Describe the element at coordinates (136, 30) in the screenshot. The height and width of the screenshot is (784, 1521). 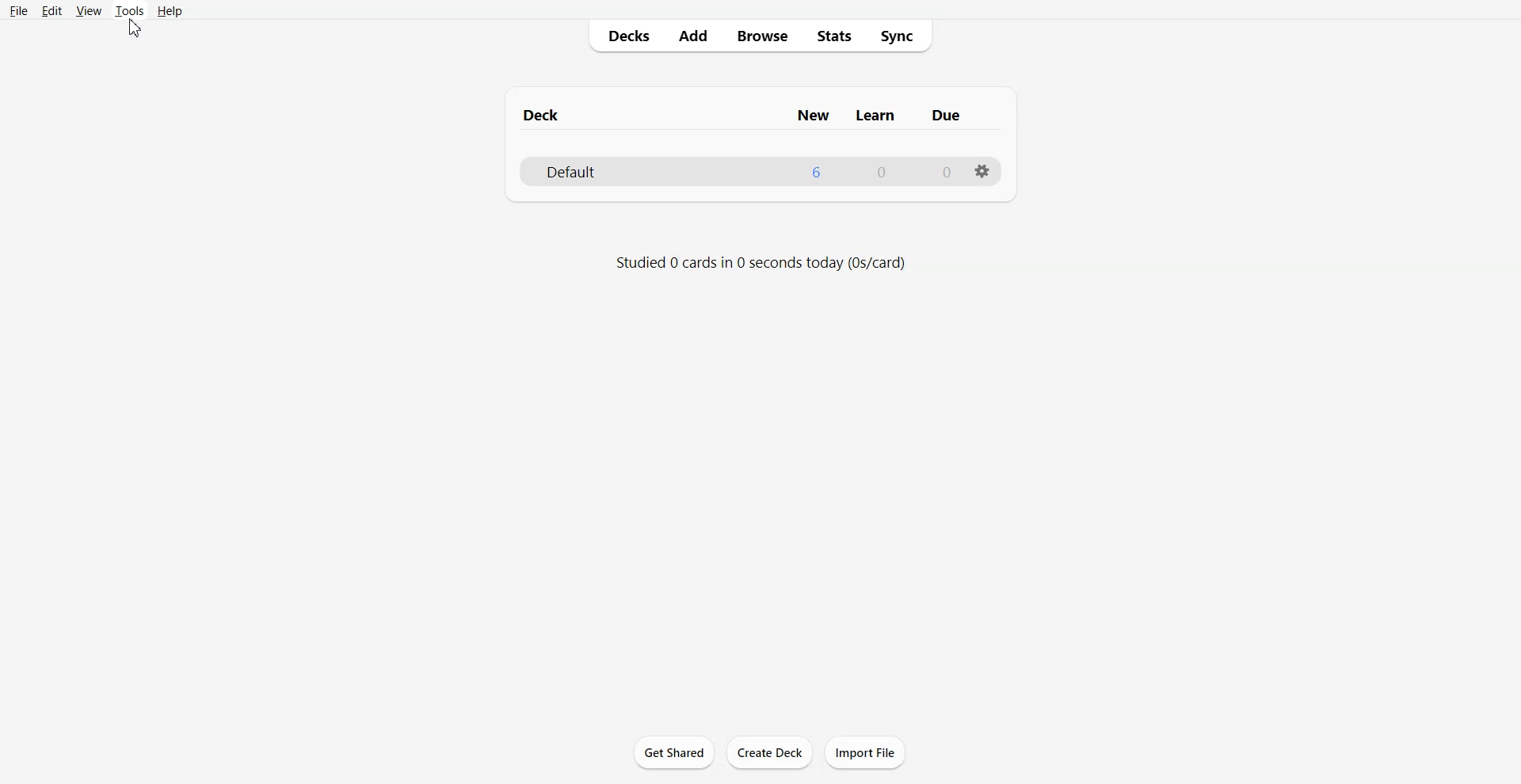
I see `cursor` at that location.